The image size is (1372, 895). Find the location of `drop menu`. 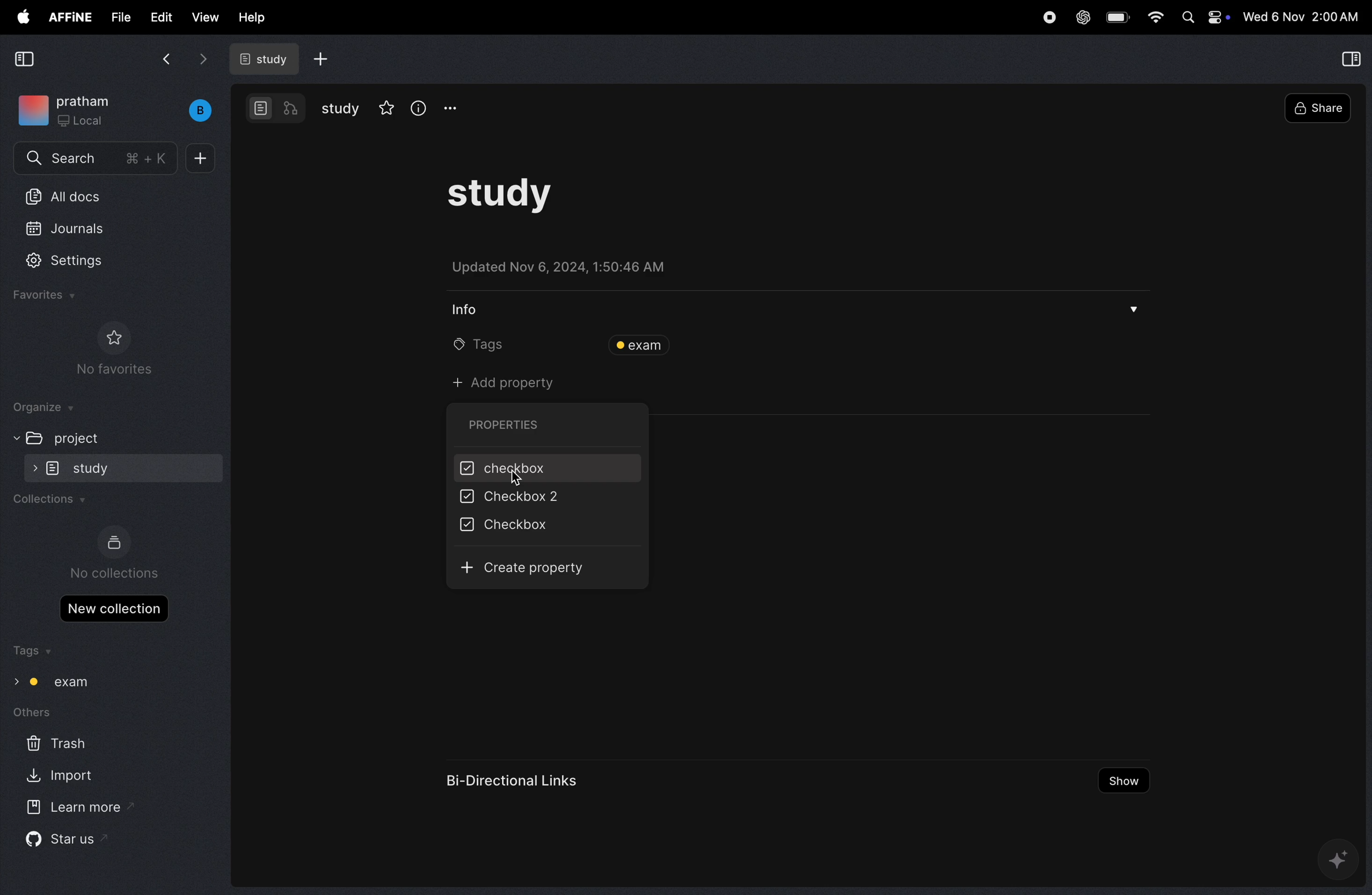

drop menu is located at coordinates (1130, 309).